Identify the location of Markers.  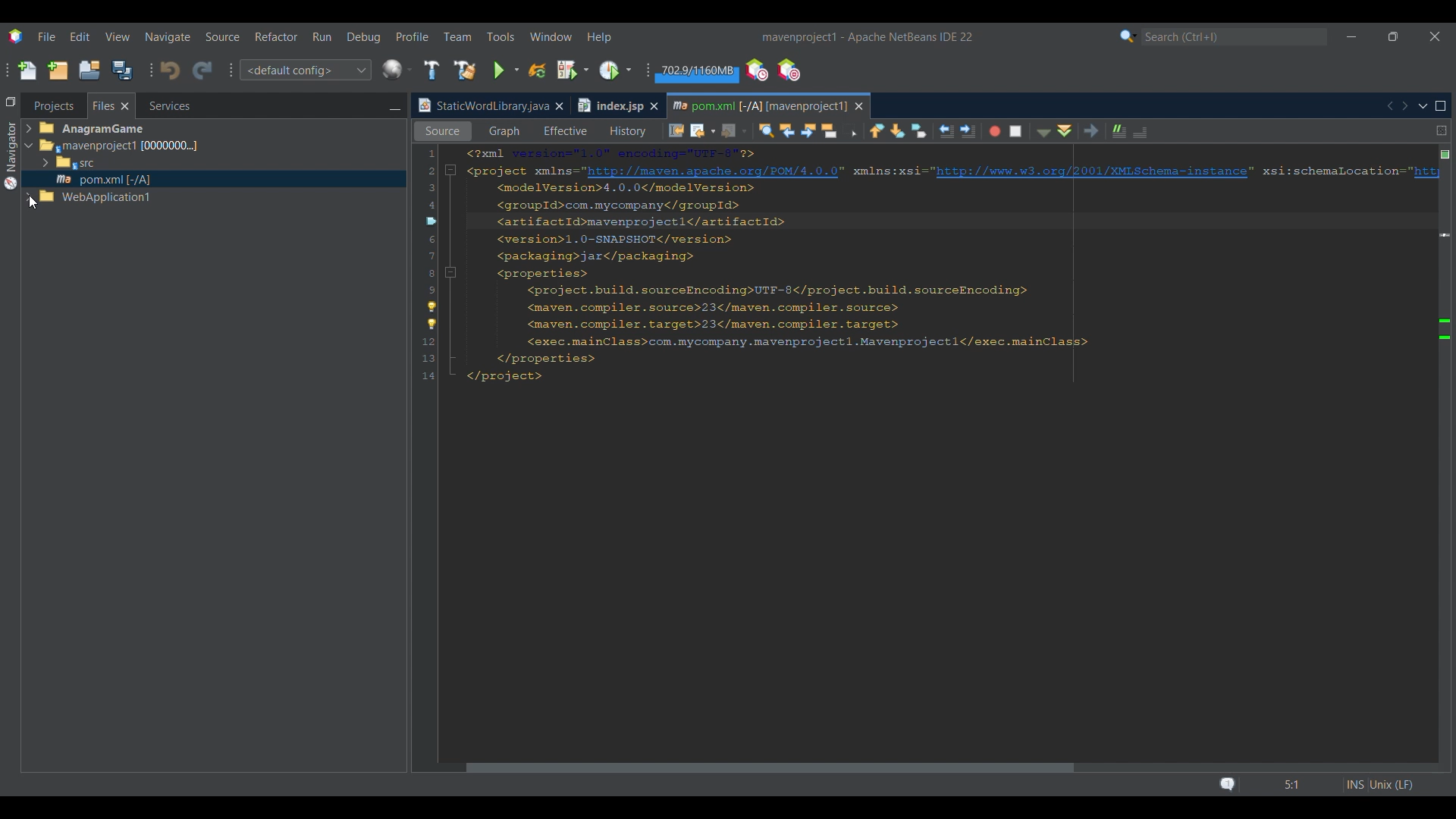
(1444, 666).